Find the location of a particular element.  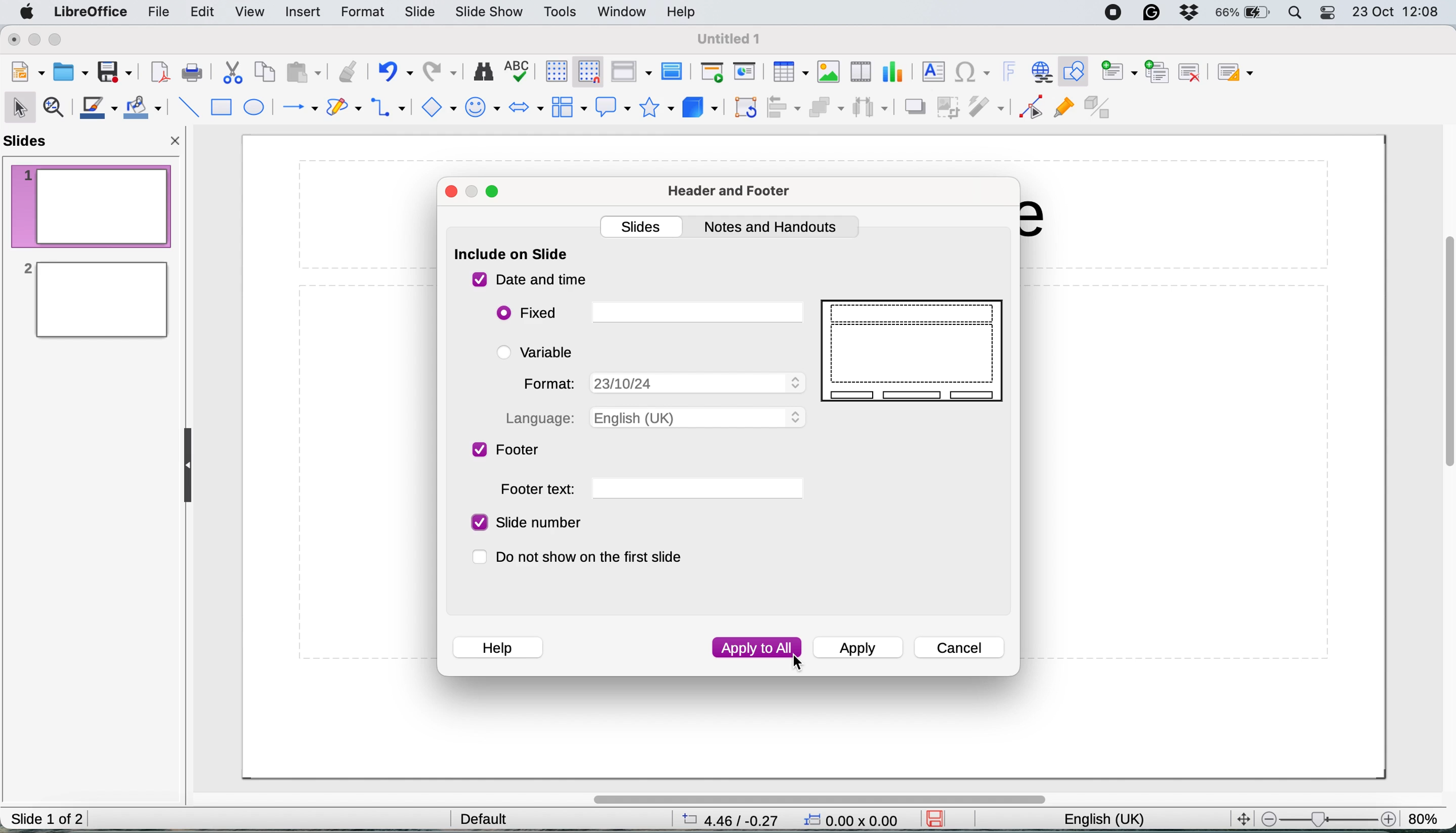

snap to grid is located at coordinates (584, 70).